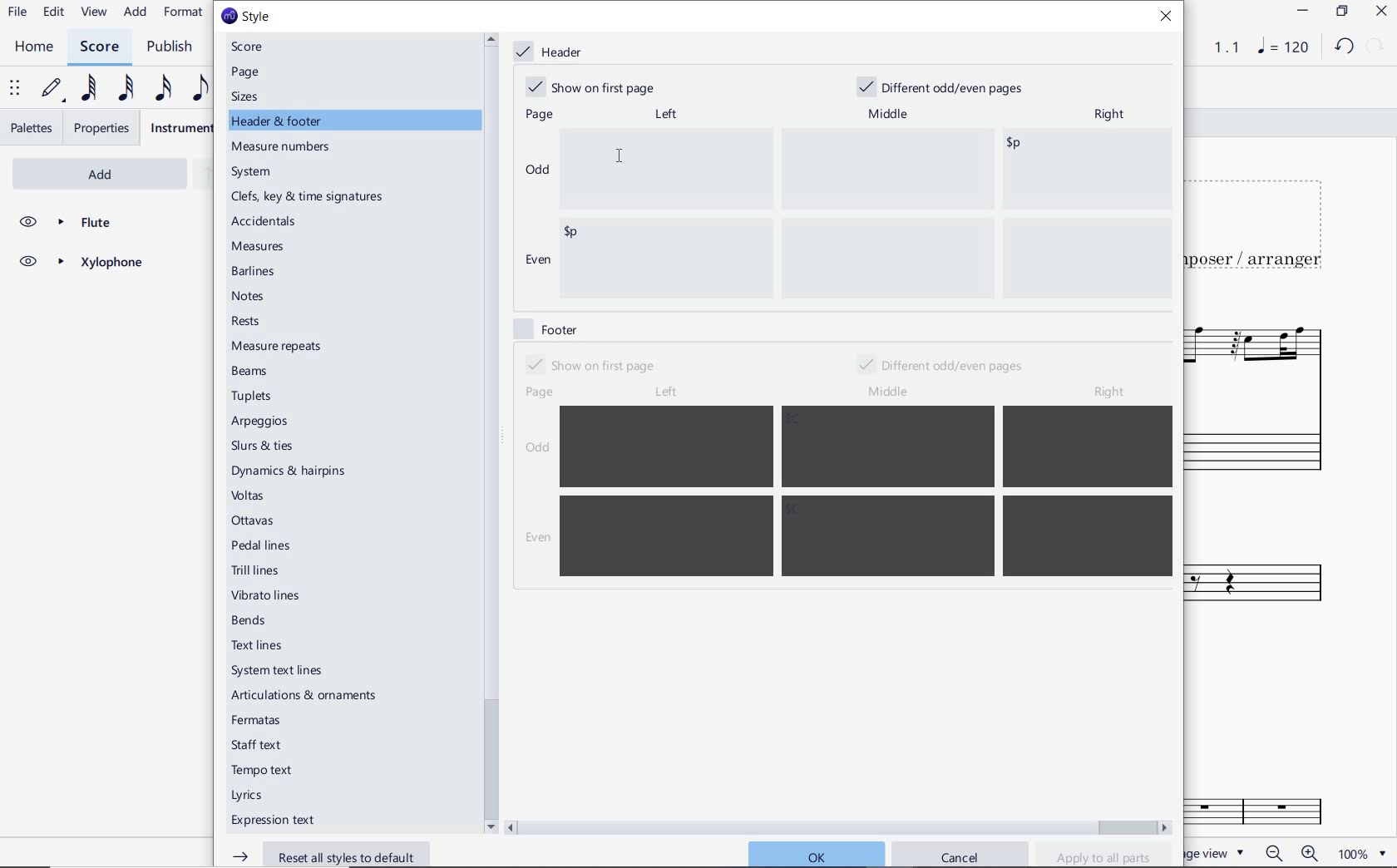 The width and height of the screenshot is (1397, 868). I want to click on left, so click(665, 392).